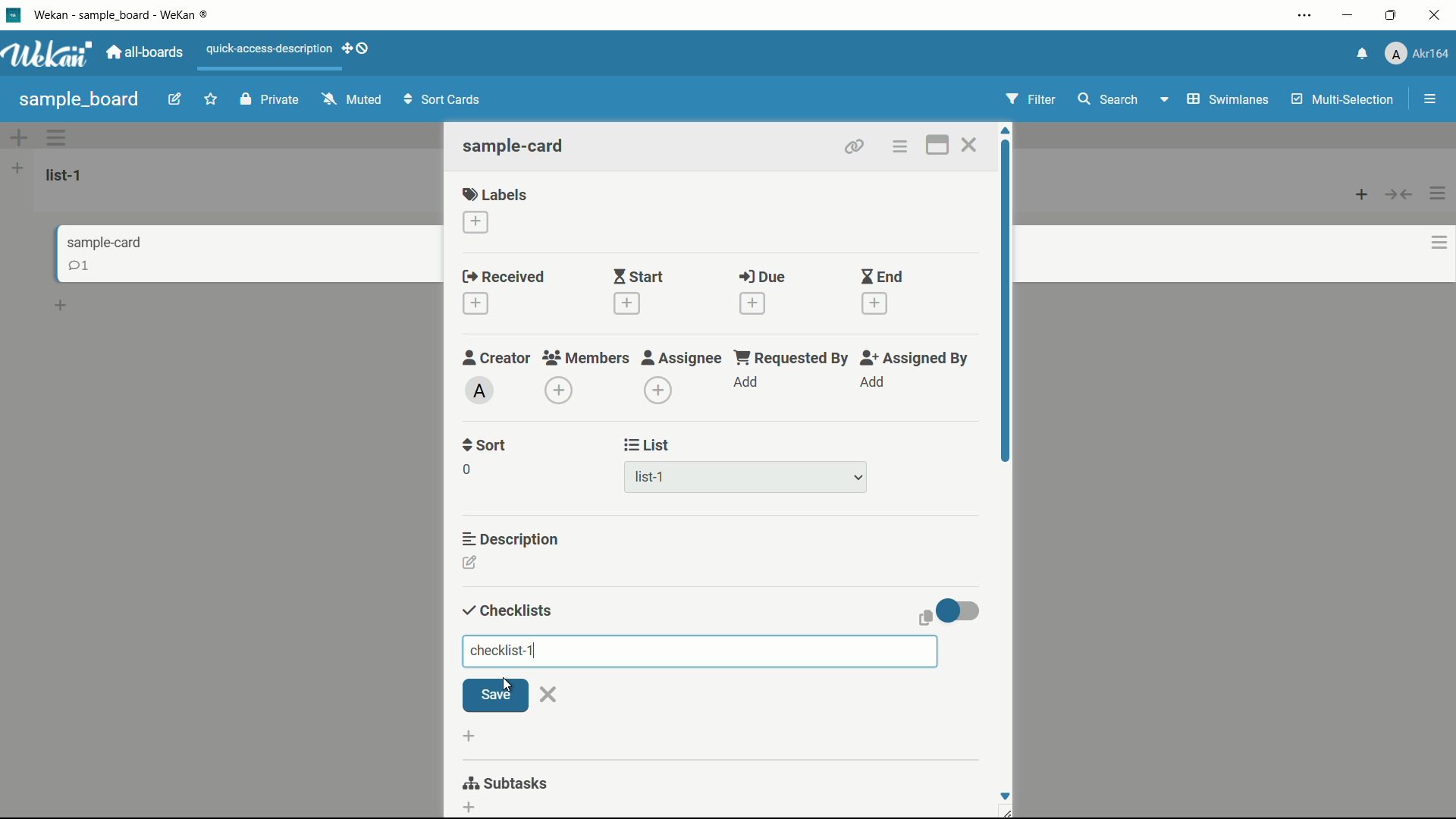  What do you see at coordinates (485, 447) in the screenshot?
I see `sort` at bounding box center [485, 447].